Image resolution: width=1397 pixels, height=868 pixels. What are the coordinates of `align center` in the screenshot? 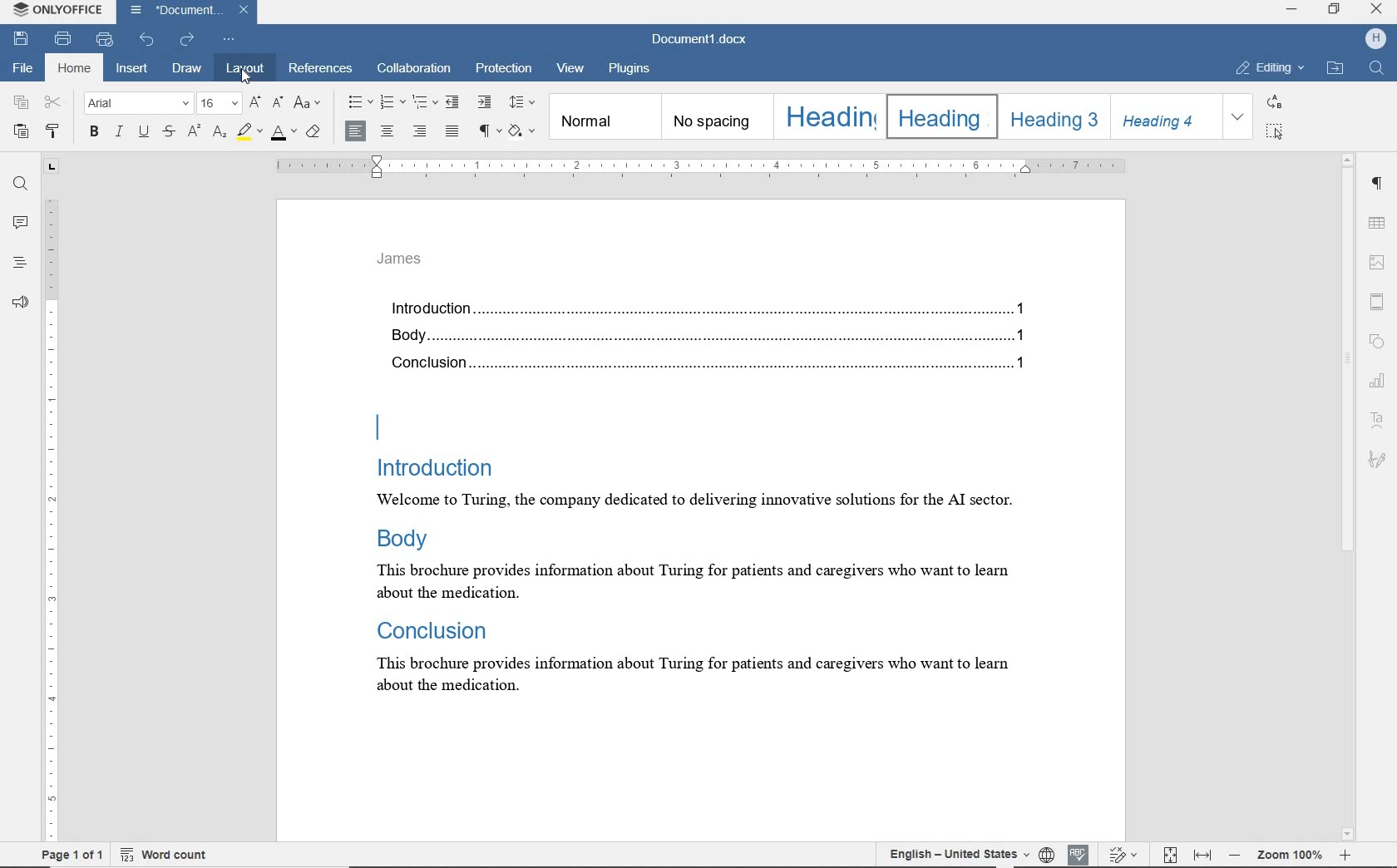 It's located at (387, 133).